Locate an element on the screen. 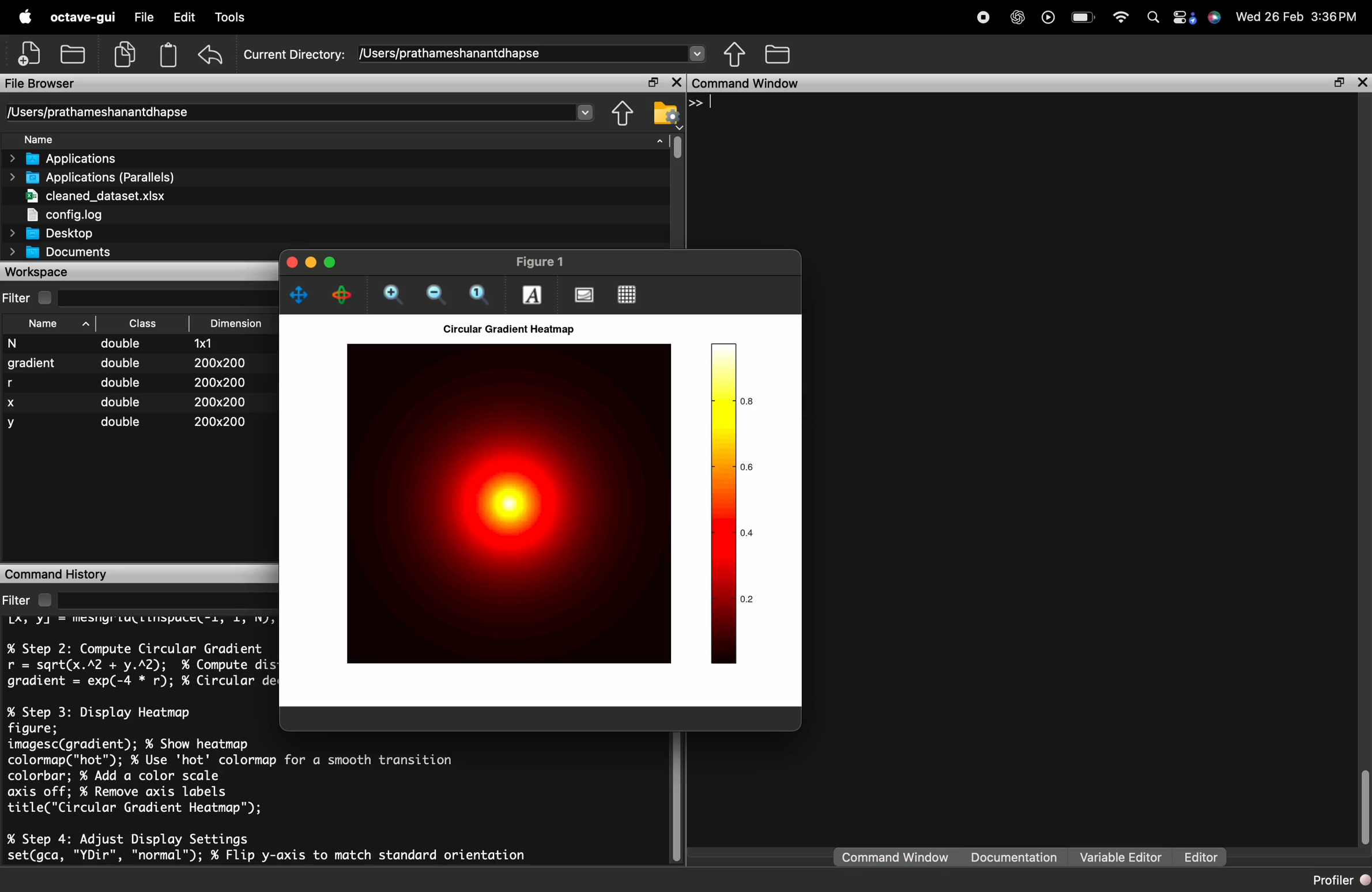 The height and width of the screenshot is (892, 1372). Directory settings is located at coordinates (665, 112).